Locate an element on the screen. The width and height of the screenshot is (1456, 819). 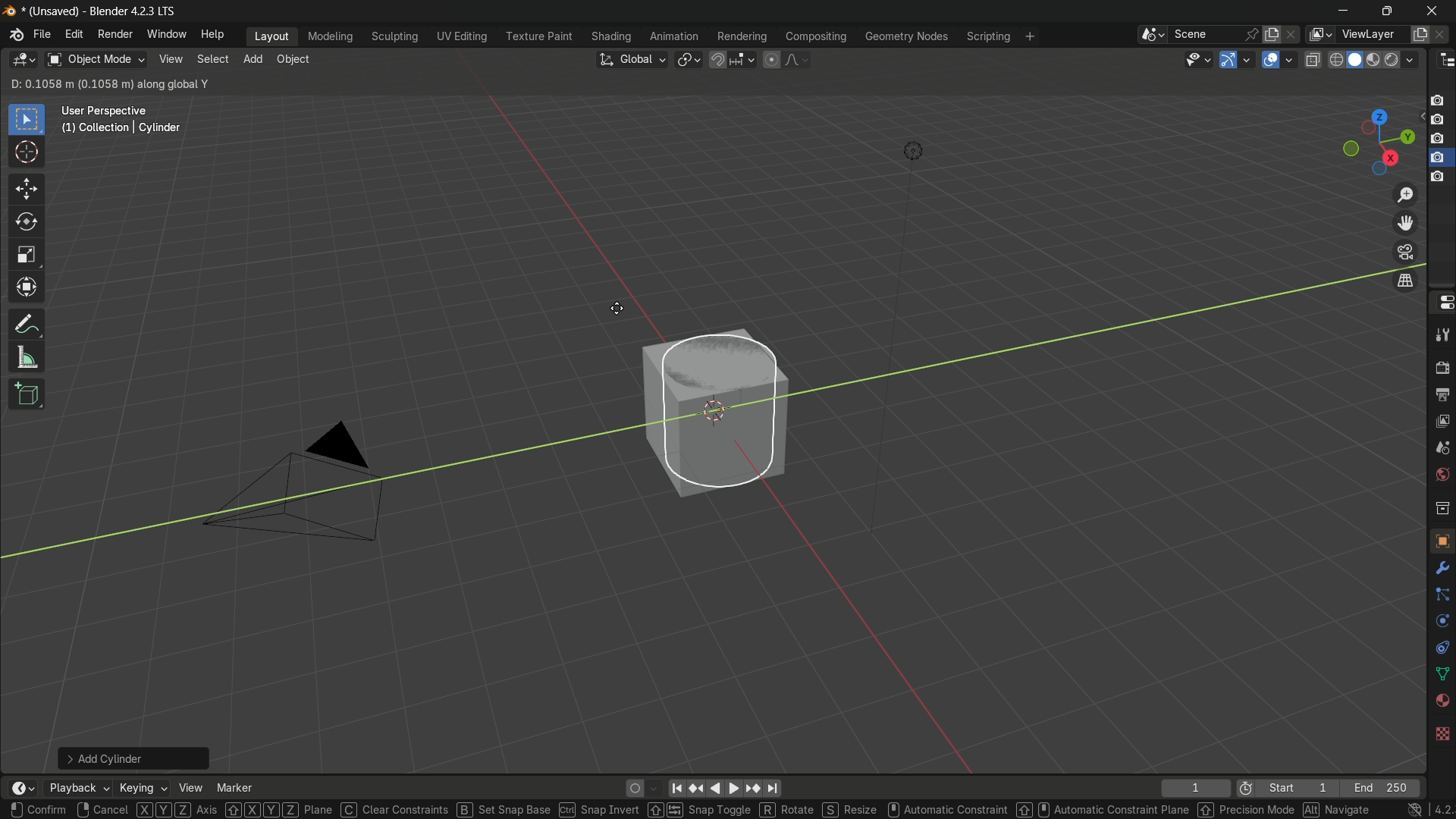
gizmos is located at coordinates (1246, 59).